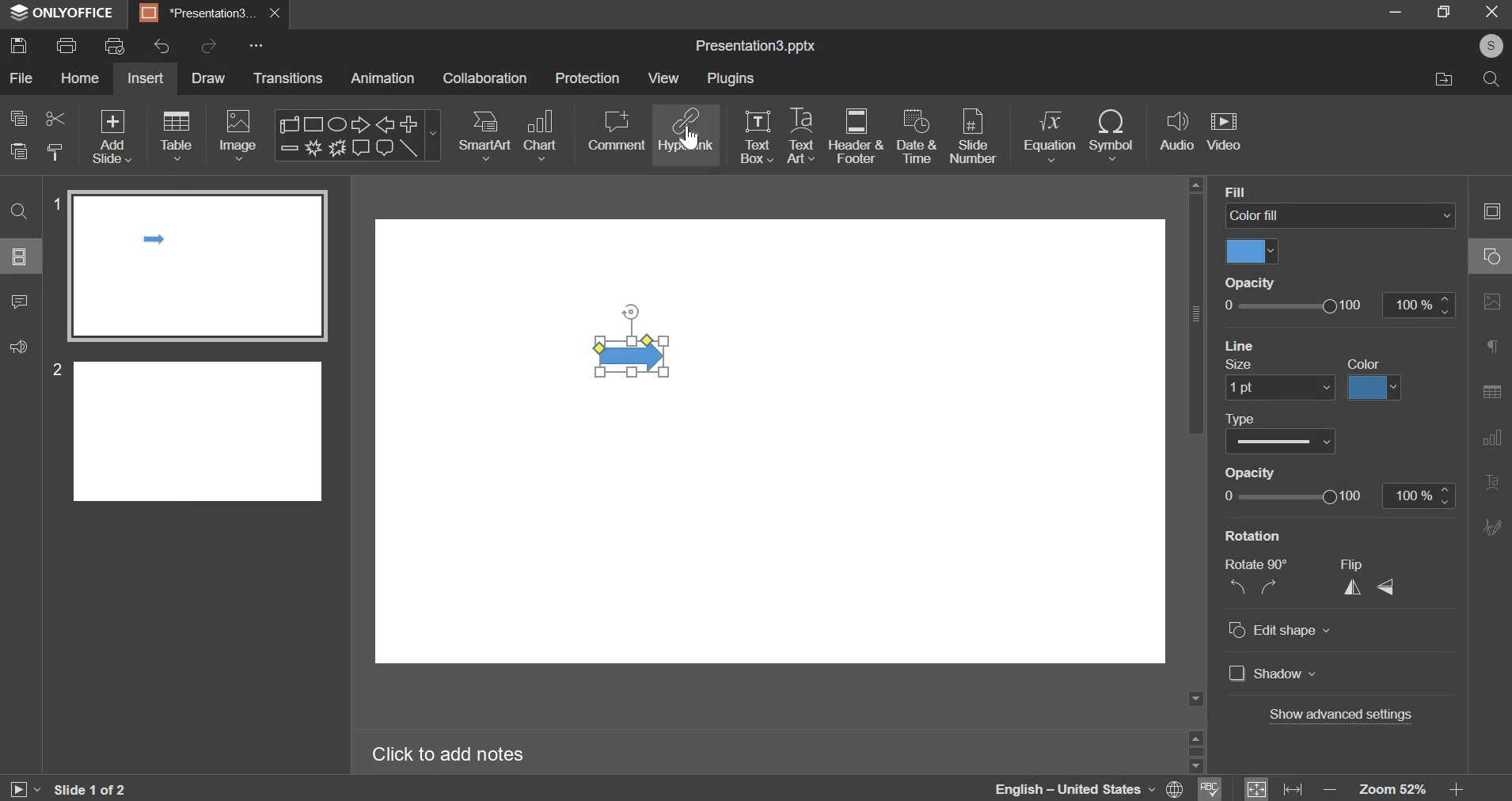 The width and height of the screenshot is (1512, 801). What do you see at coordinates (1256, 564) in the screenshot?
I see `rotate 90` at bounding box center [1256, 564].